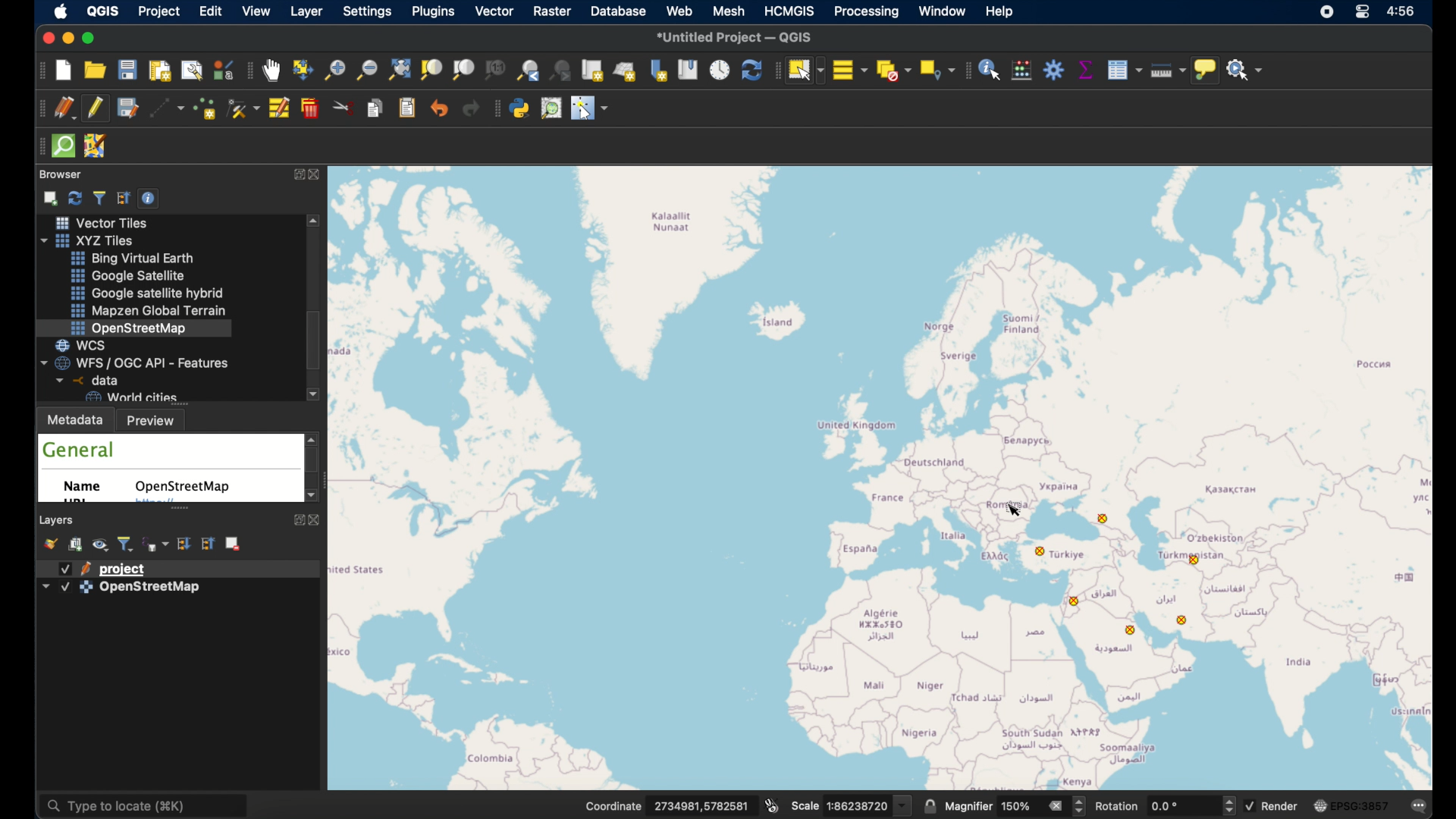  I want to click on select all features, so click(850, 69).